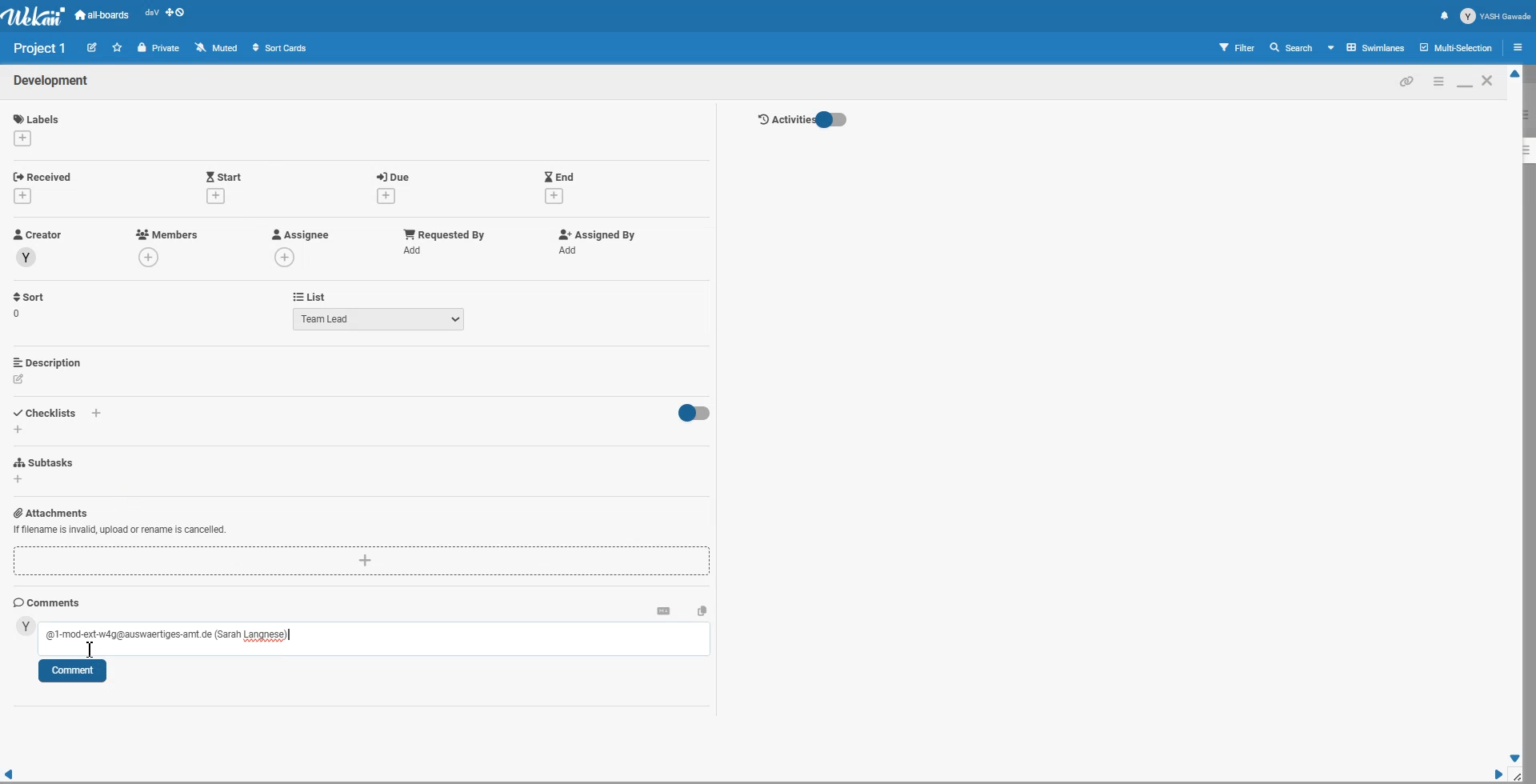 The width and height of the screenshot is (1536, 784). What do you see at coordinates (1407, 81) in the screenshot?
I see `Copy card link` at bounding box center [1407, 81].